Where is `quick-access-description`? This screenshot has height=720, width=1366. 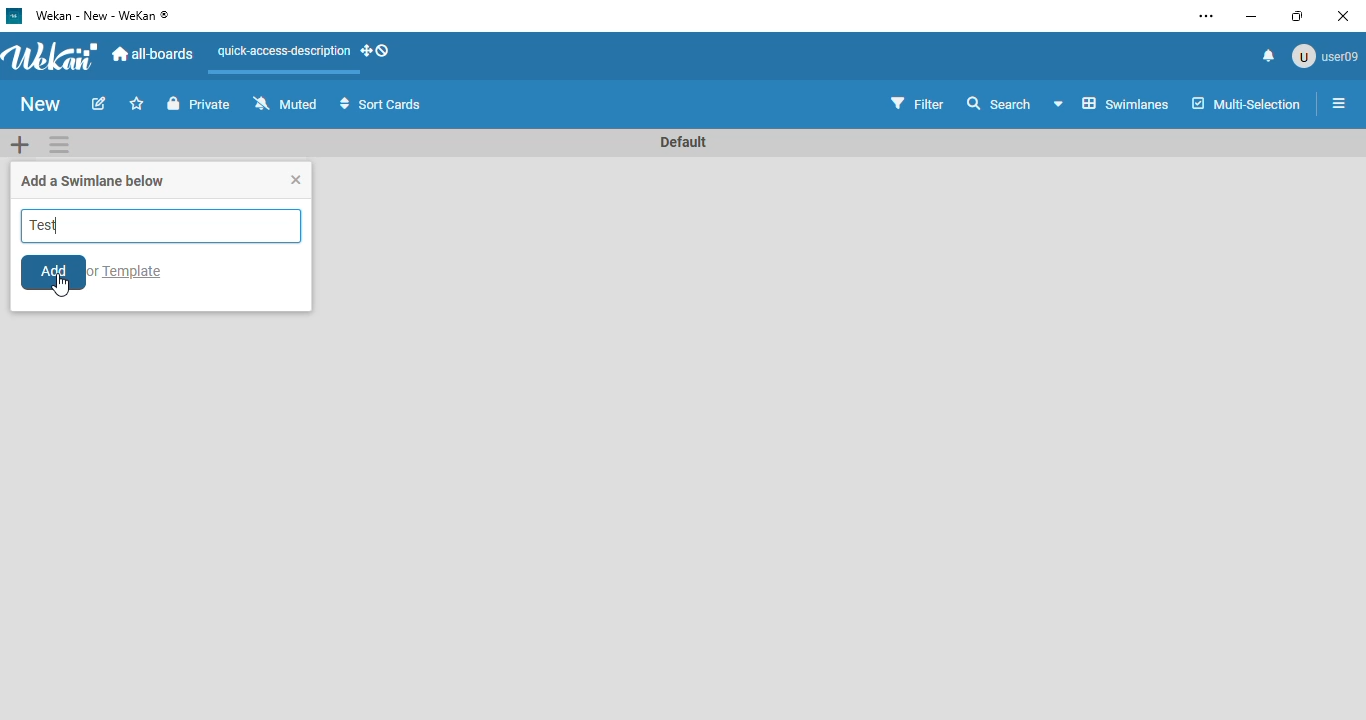
quick-access-description is located at coordinates (283, 51).